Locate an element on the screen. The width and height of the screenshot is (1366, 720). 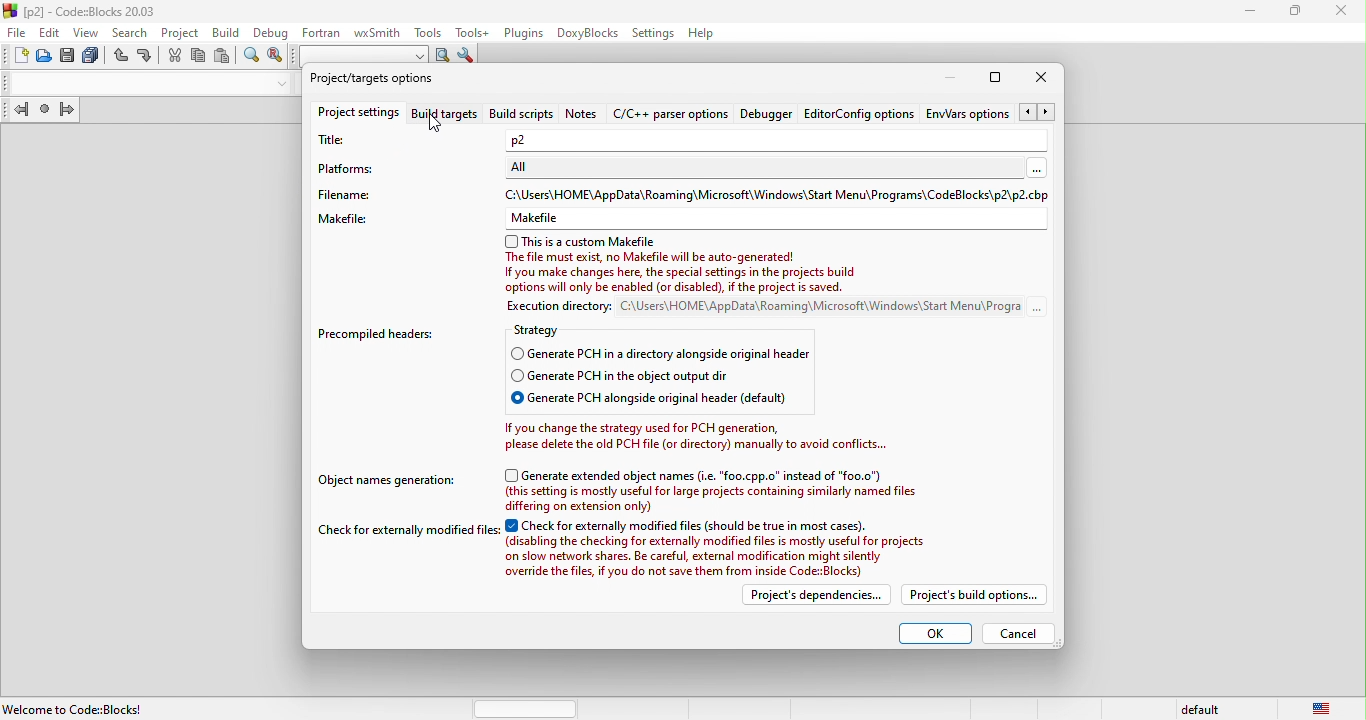
More is located at coordinates (1037, 168).